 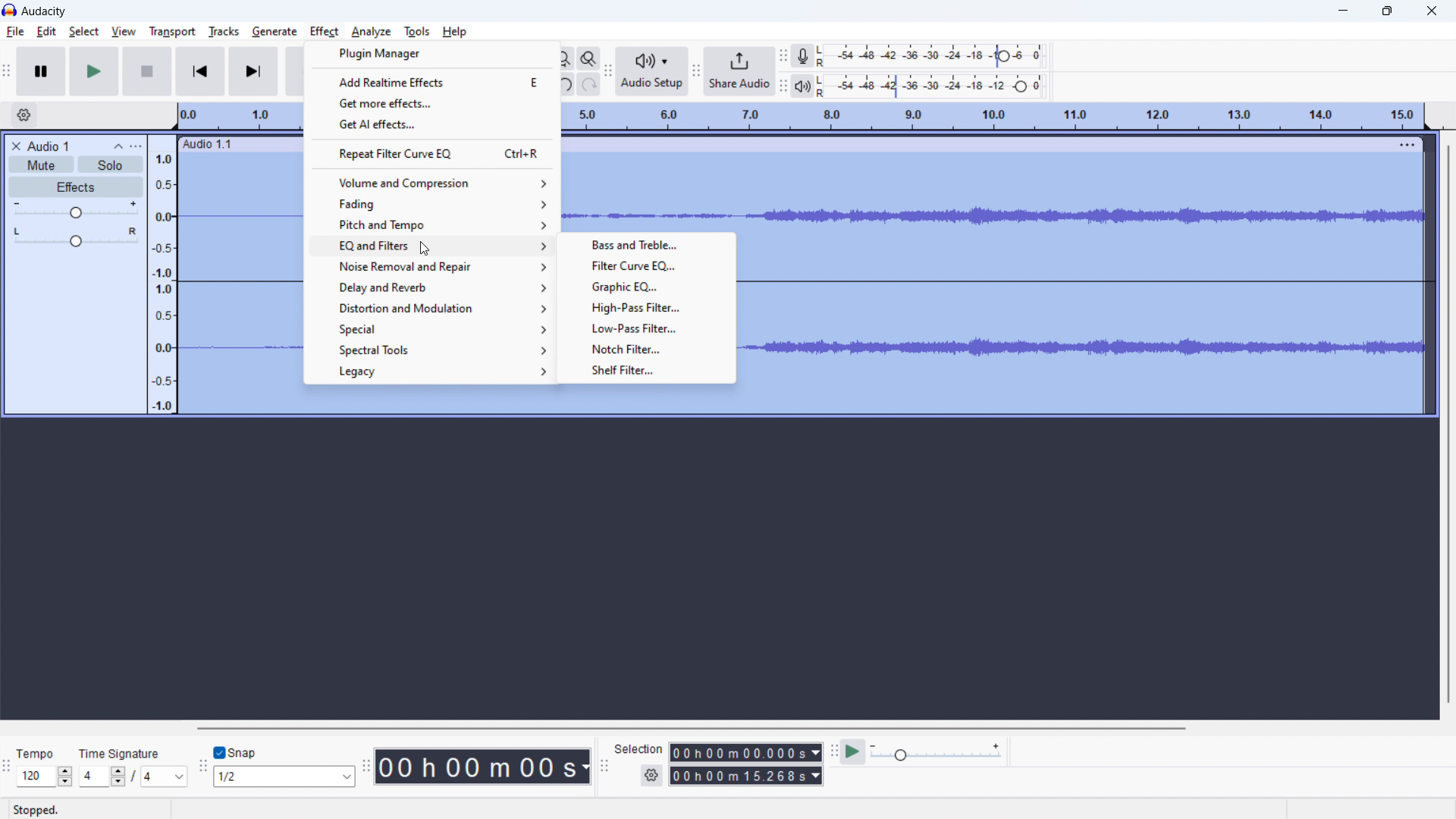 What do you see at coordinates (373, 31) in the screenshot?
I see `analyze` at bounding box center [373, 31].